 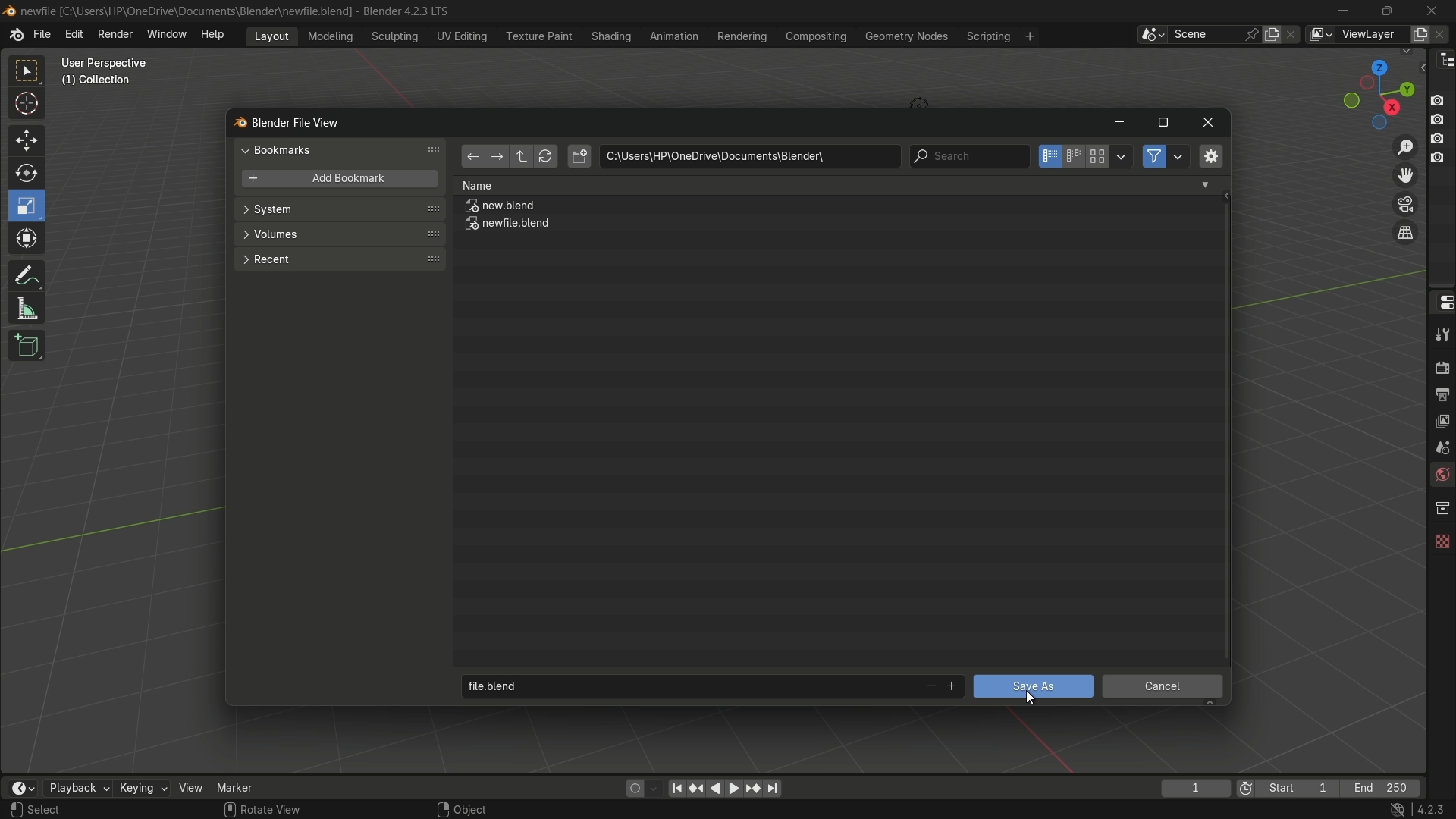 What do you see at coordinates (1275, 34) in the screenshot?
I see `new scene` at bounding box center [1275, 34].